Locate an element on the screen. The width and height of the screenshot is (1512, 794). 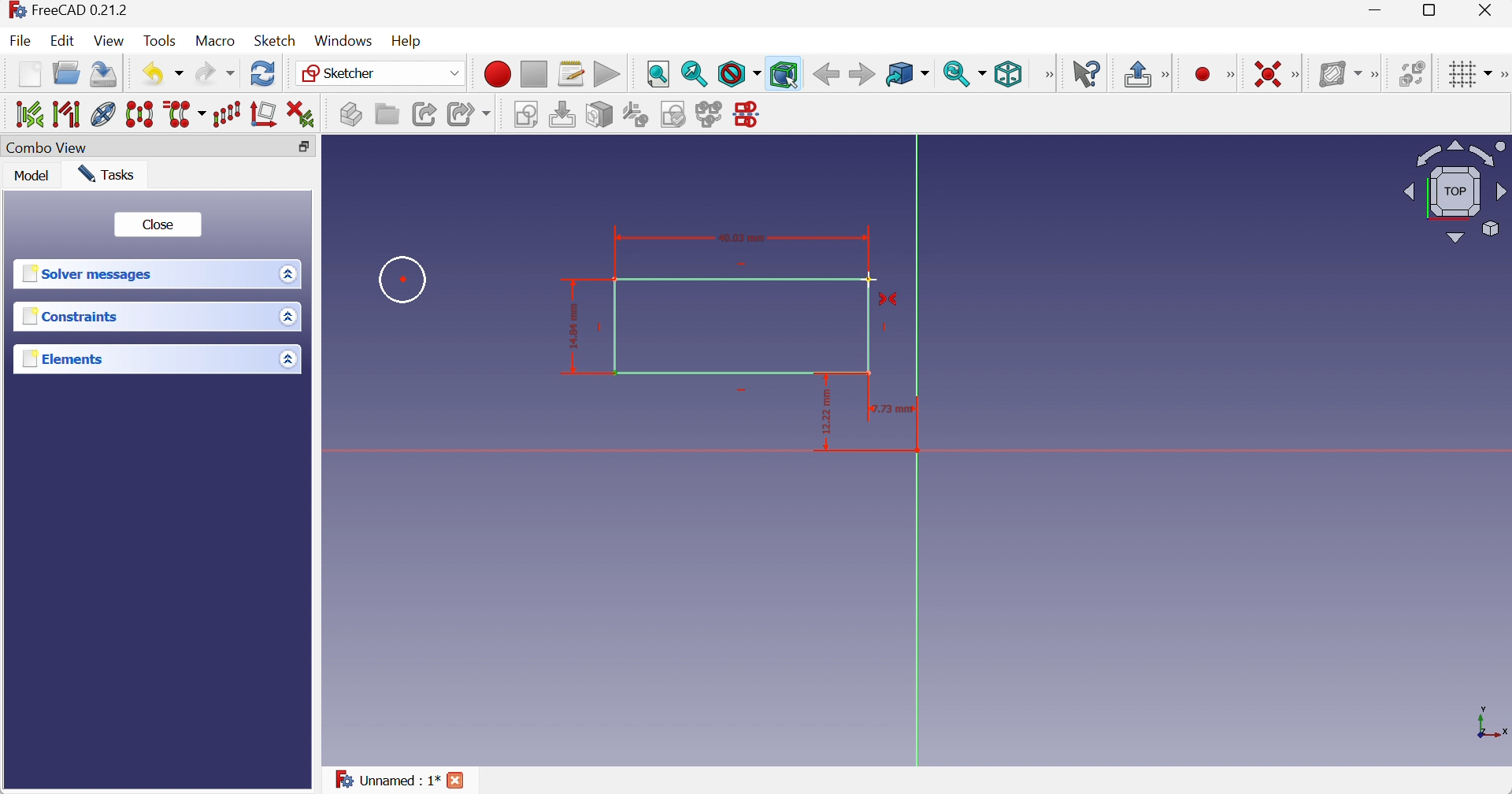
Redo is located at coordinates (215, 73).